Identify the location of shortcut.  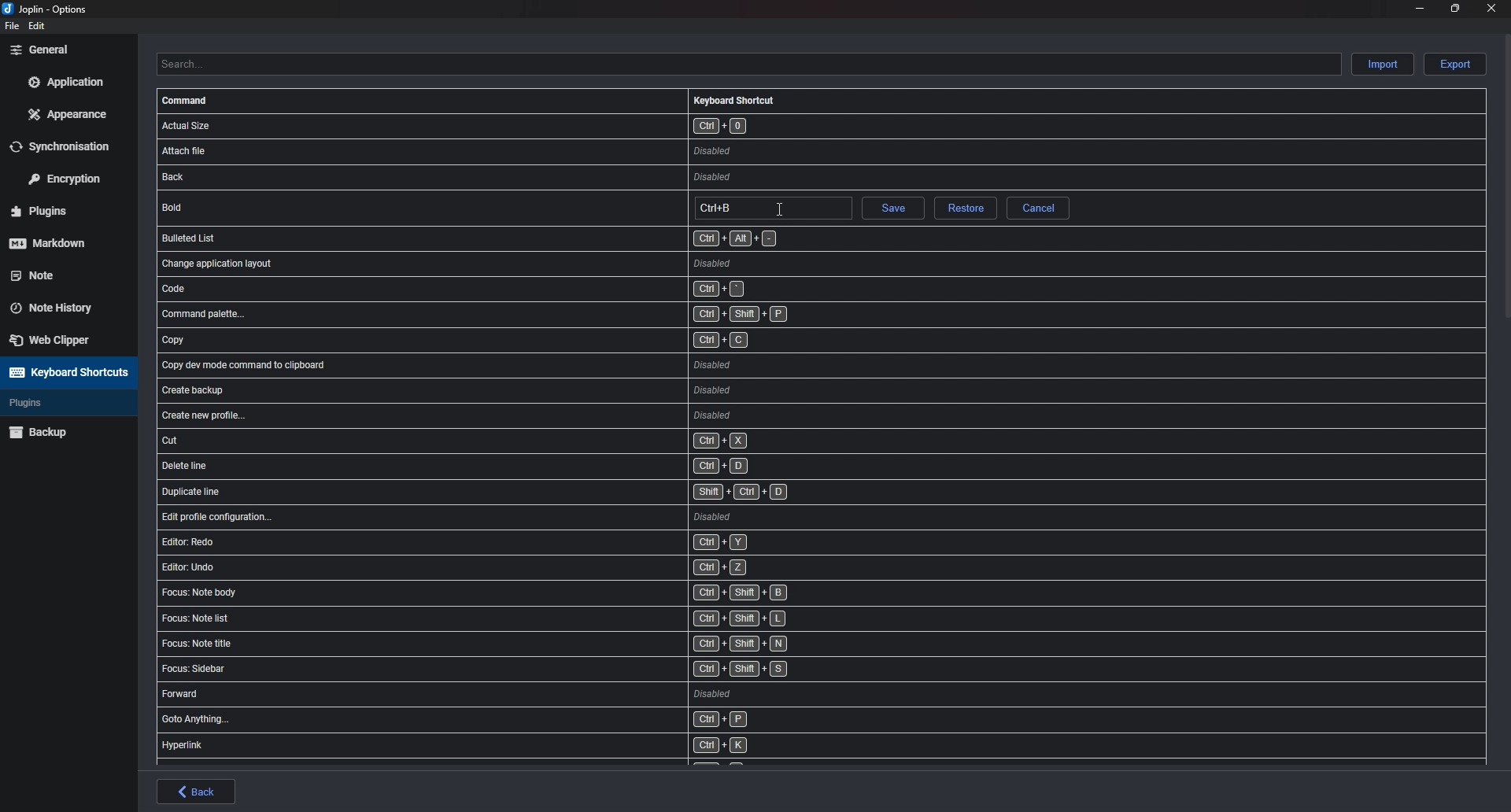
(520, 567).